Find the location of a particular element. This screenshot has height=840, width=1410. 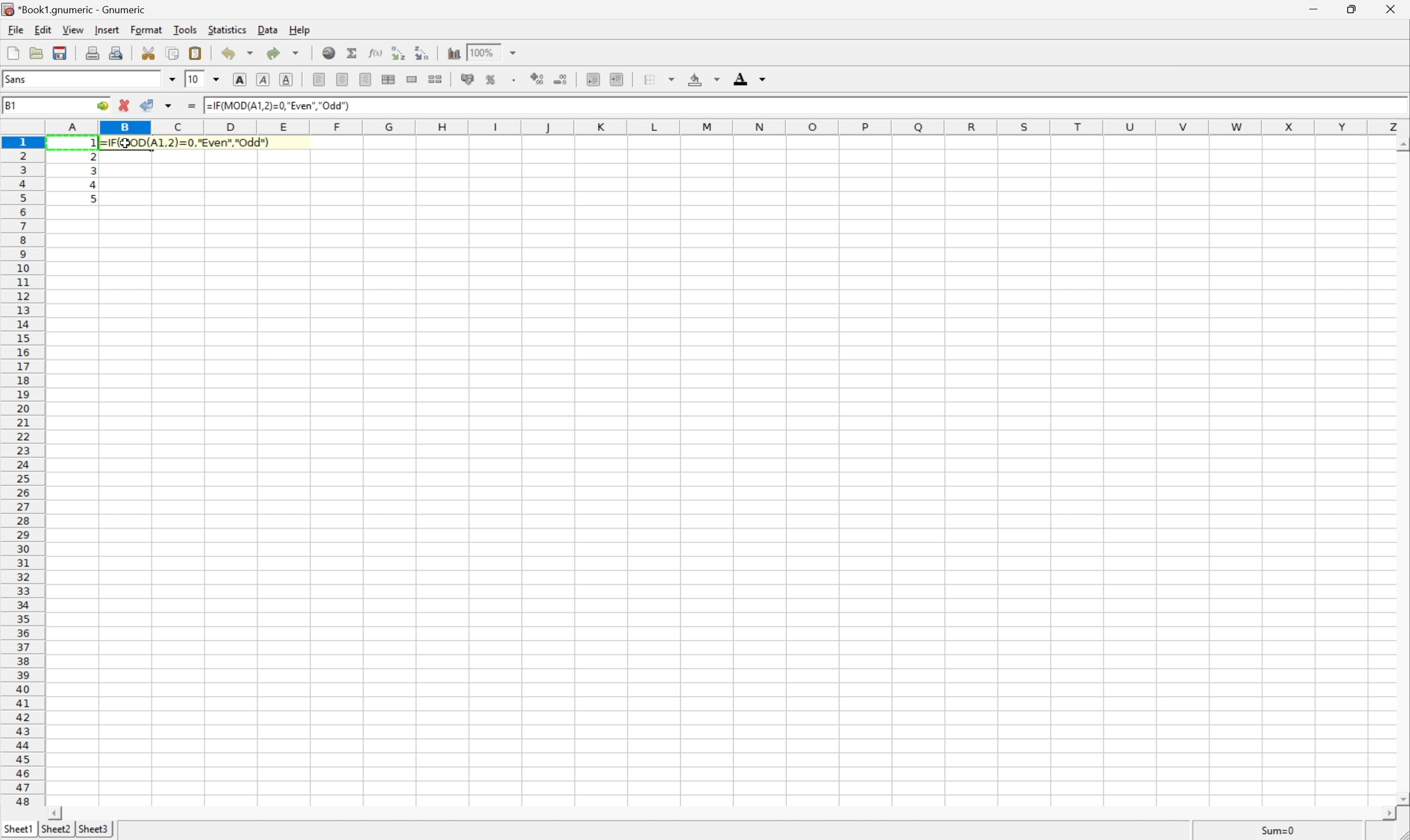

 is located at coordinates (169, 106).